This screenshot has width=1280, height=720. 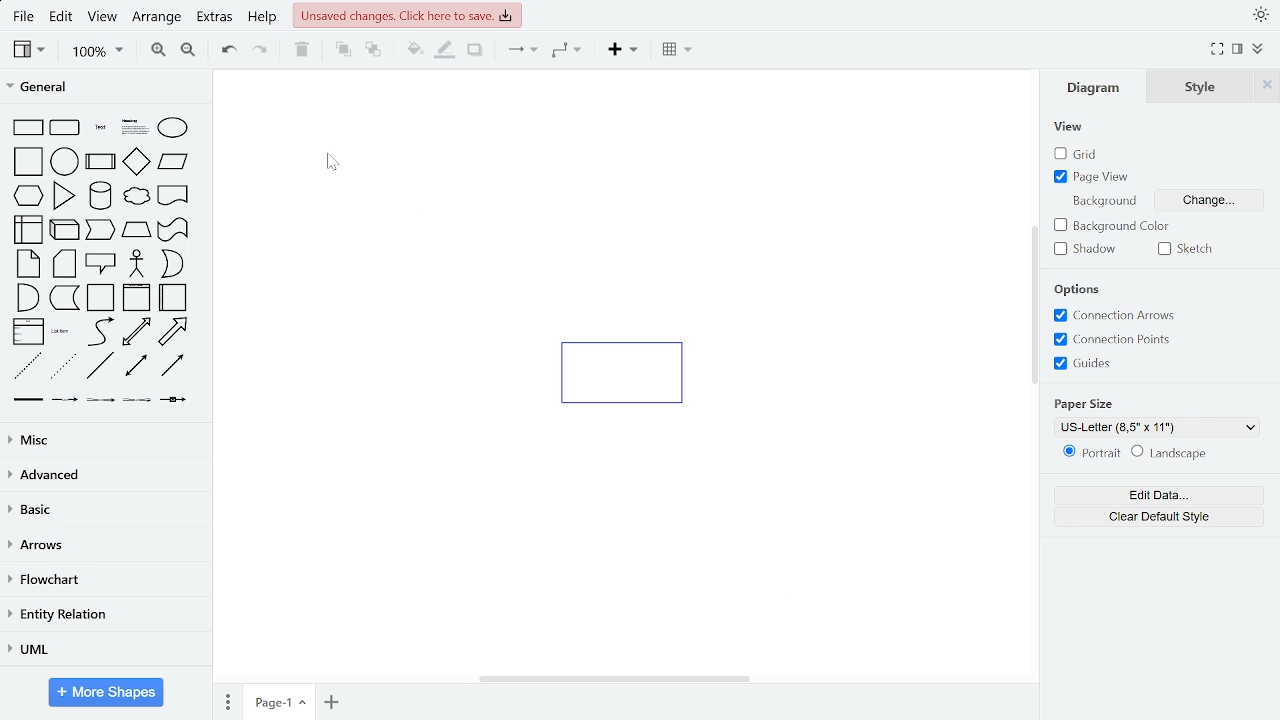 I want to click on potrait, so click(x=1091, y=455).